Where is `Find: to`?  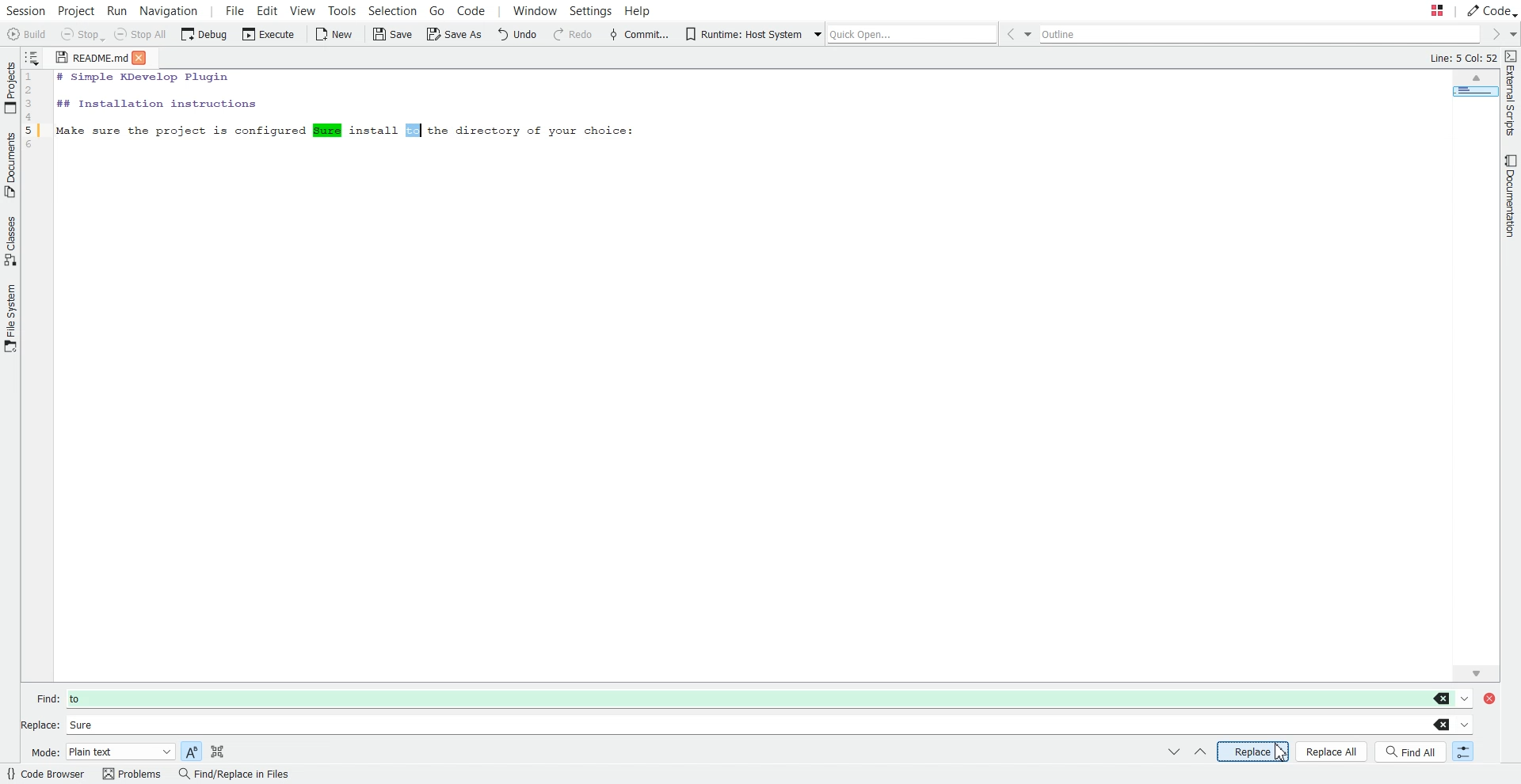 Find: to is located at coordinates (753, 695).